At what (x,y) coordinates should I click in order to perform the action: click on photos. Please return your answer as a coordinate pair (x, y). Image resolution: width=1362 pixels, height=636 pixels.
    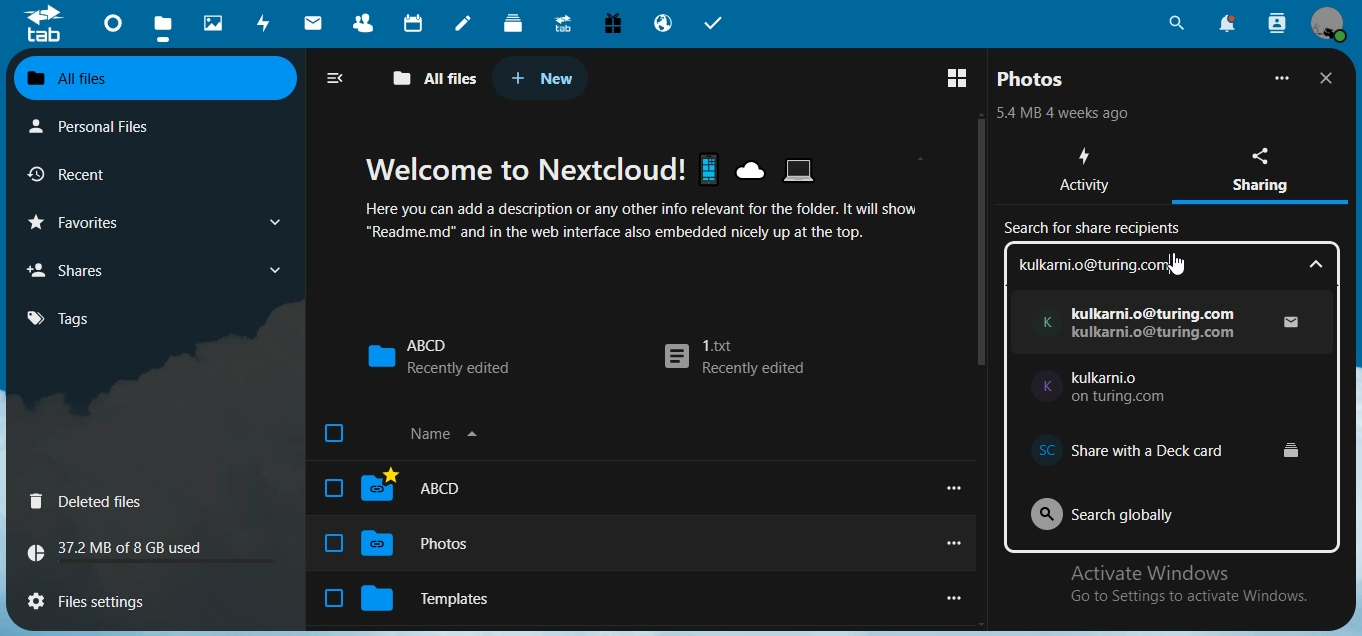
    Looking at the image, I should click on (216, 24).